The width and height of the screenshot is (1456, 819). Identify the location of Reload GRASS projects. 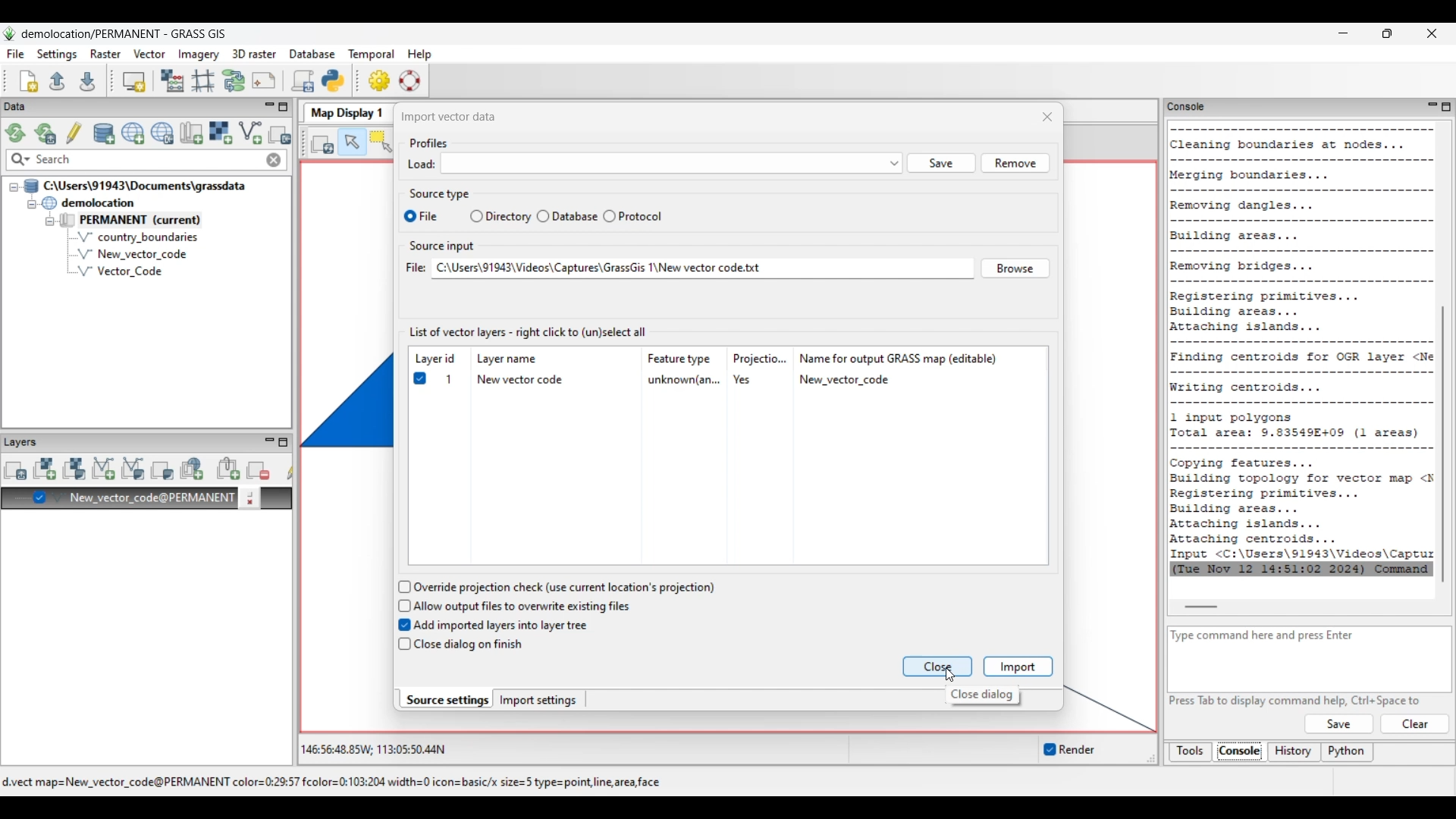
(16, 133).